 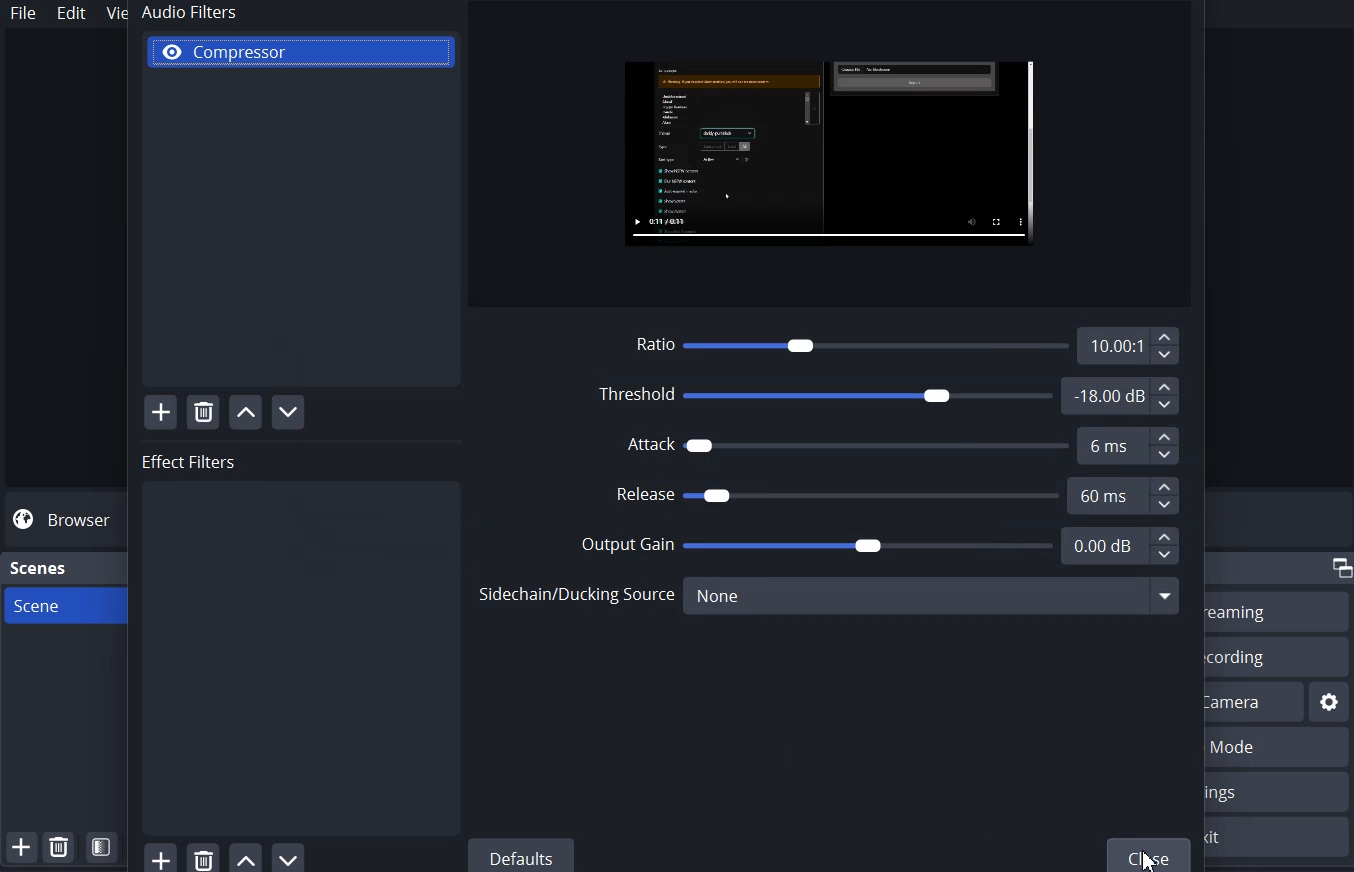 What do you see at coordinates (1278, 791) in the screenshot?
I see `Settings` at bounding box center [1278, 791].